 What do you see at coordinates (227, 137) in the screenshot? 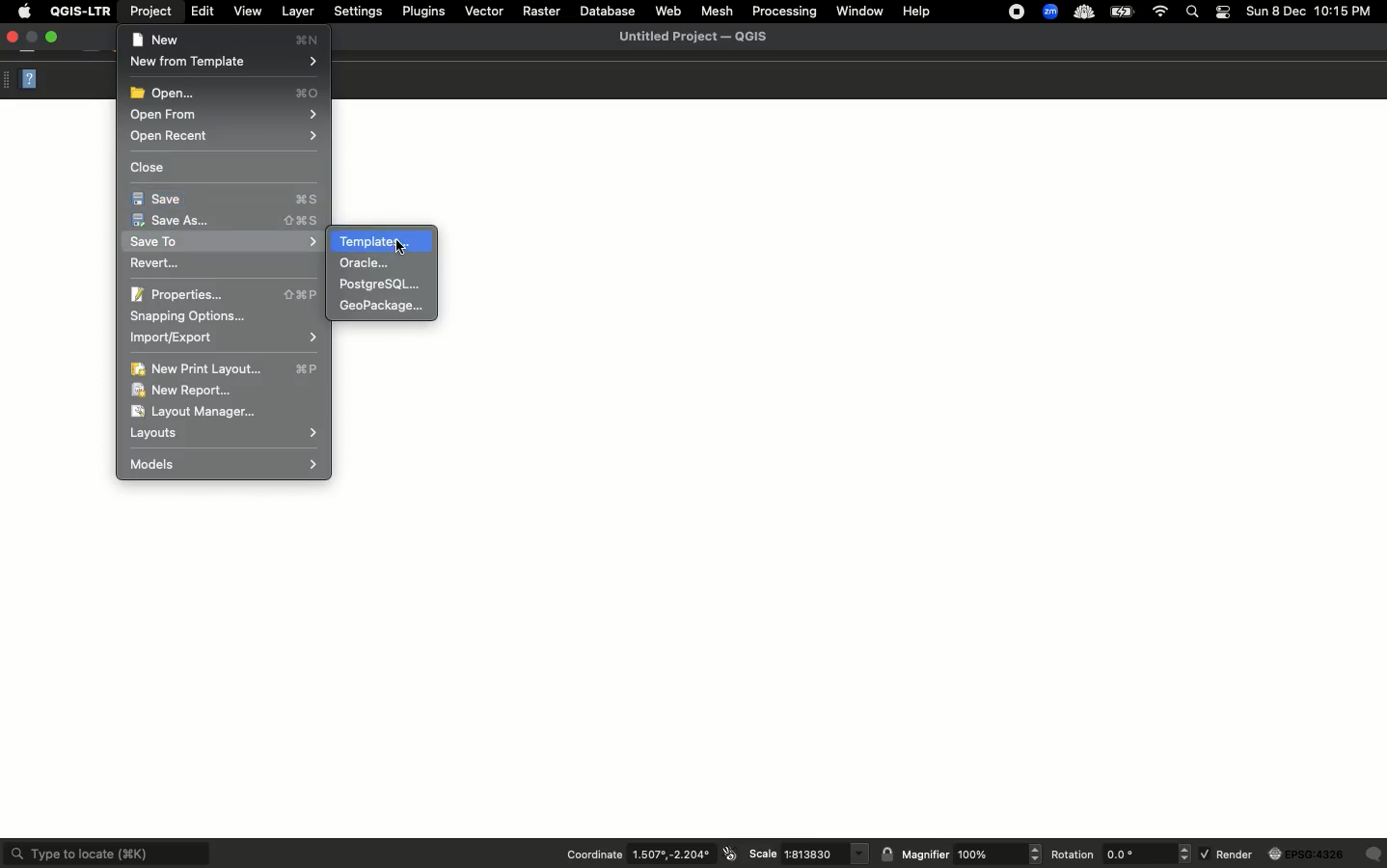
I see `Open recent` at bounding box center [227, 137].